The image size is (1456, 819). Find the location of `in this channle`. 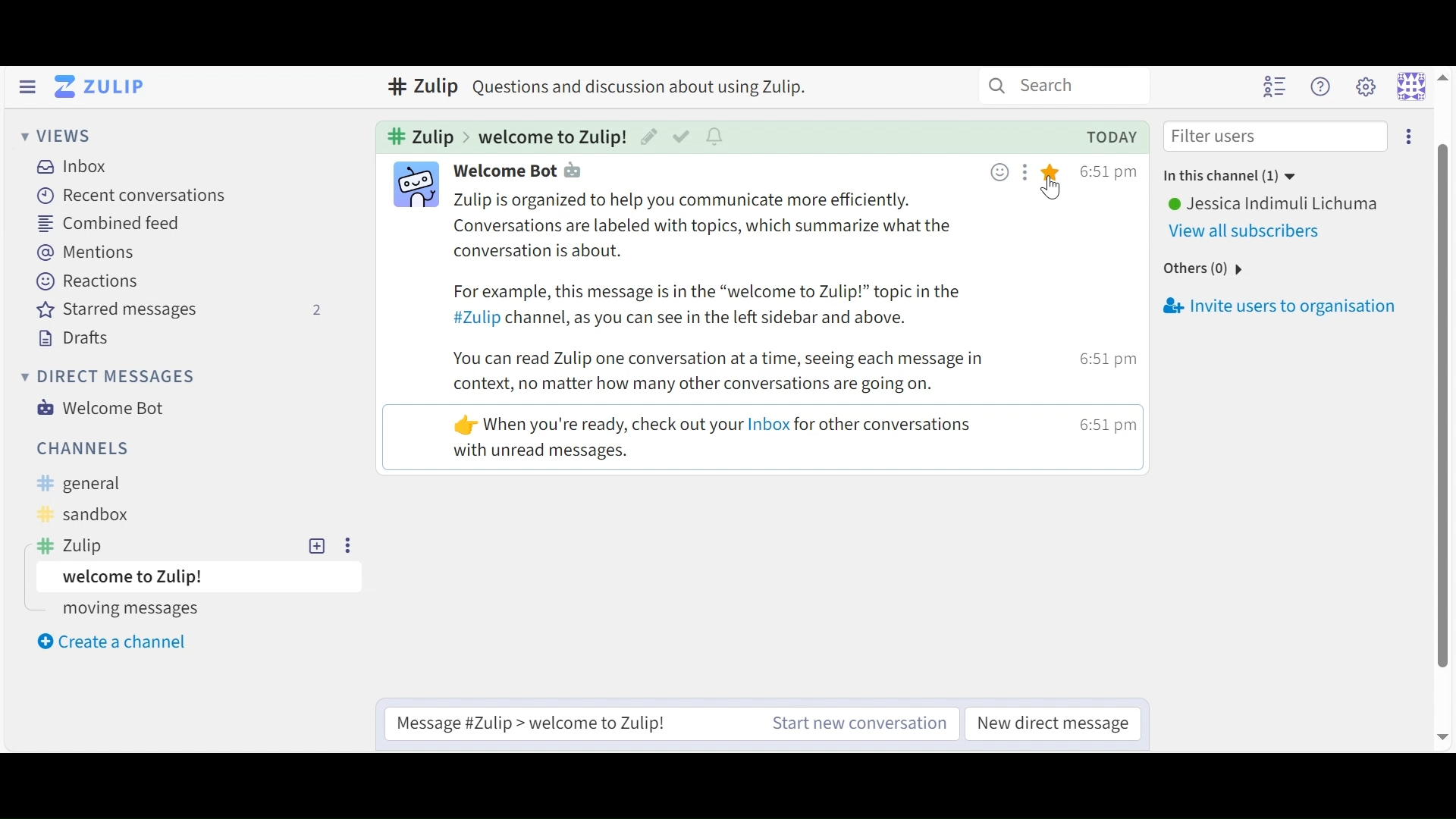

in this channle is located at coordinates (1248, 173).